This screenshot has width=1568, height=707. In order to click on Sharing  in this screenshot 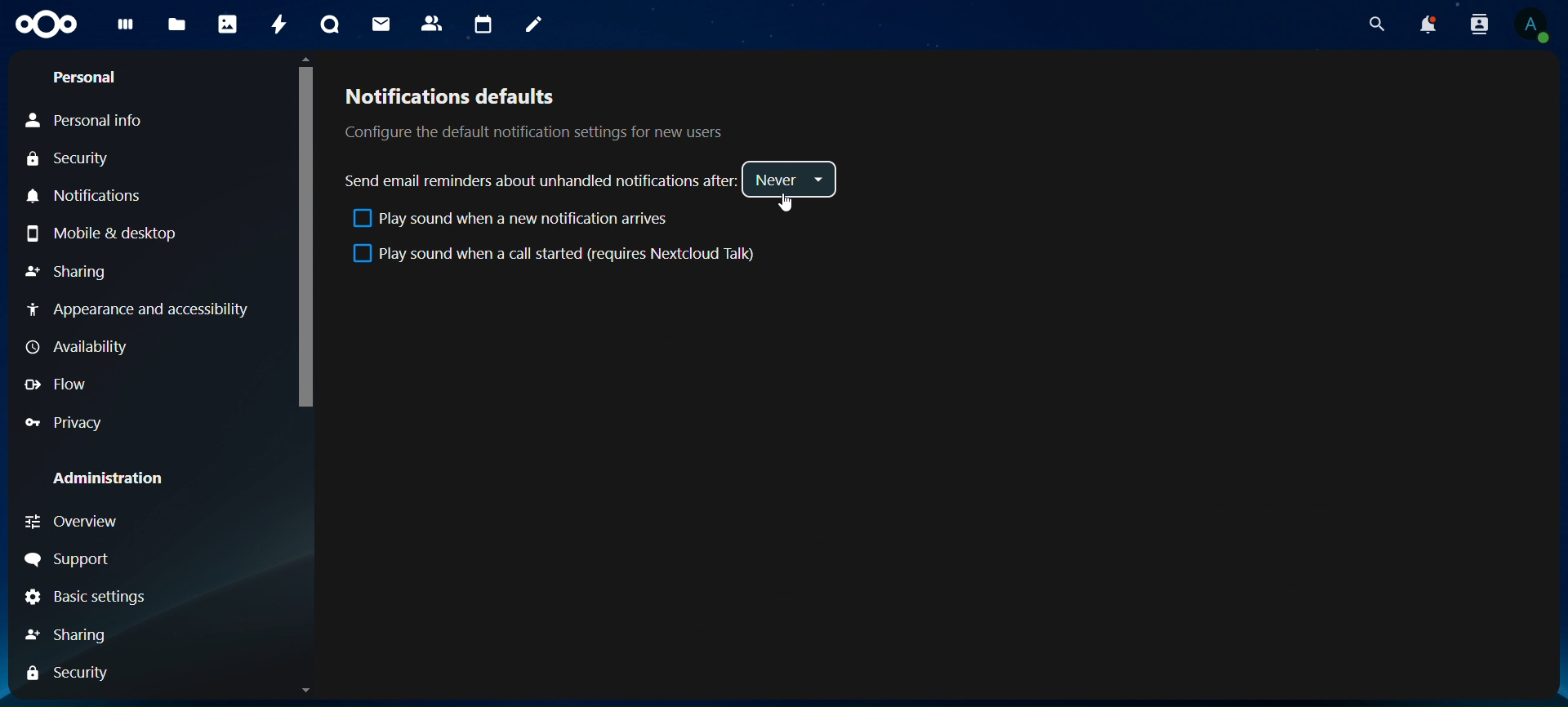, I will do `click(67, 271)`.